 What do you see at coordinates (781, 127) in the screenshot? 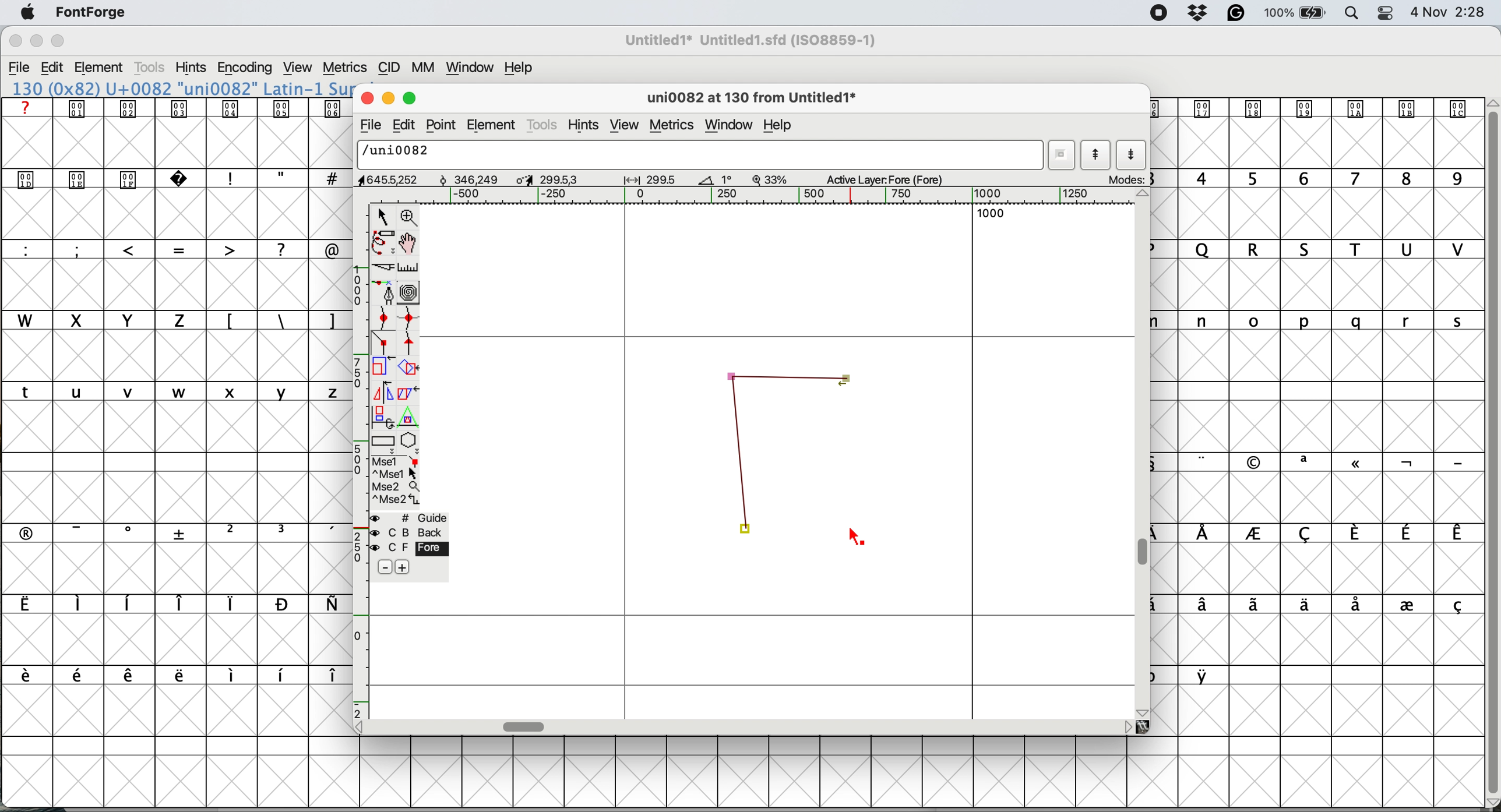
I see `help` at bounding box center [781, 127].